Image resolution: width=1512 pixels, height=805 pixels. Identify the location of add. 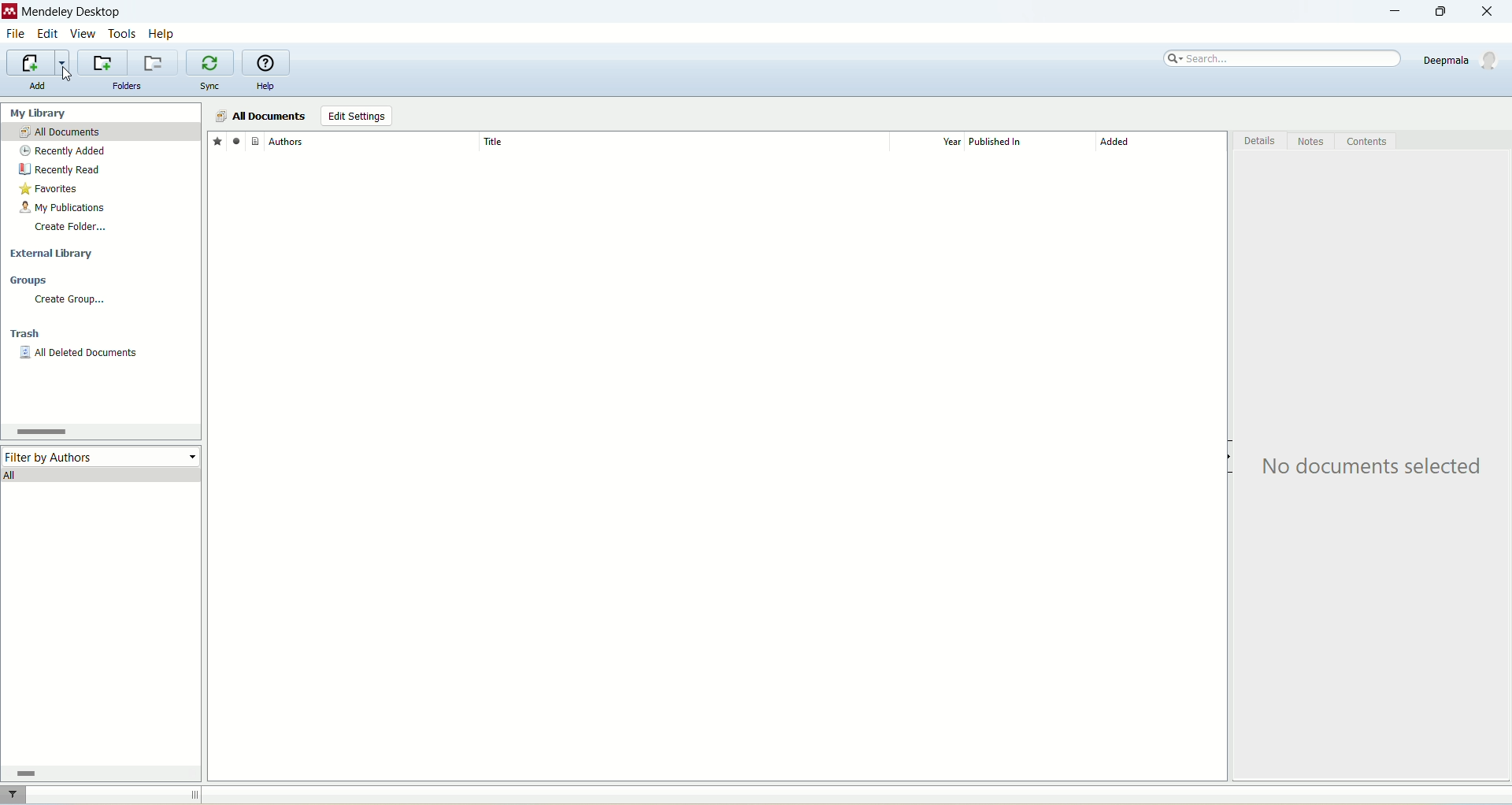
(37, 86).